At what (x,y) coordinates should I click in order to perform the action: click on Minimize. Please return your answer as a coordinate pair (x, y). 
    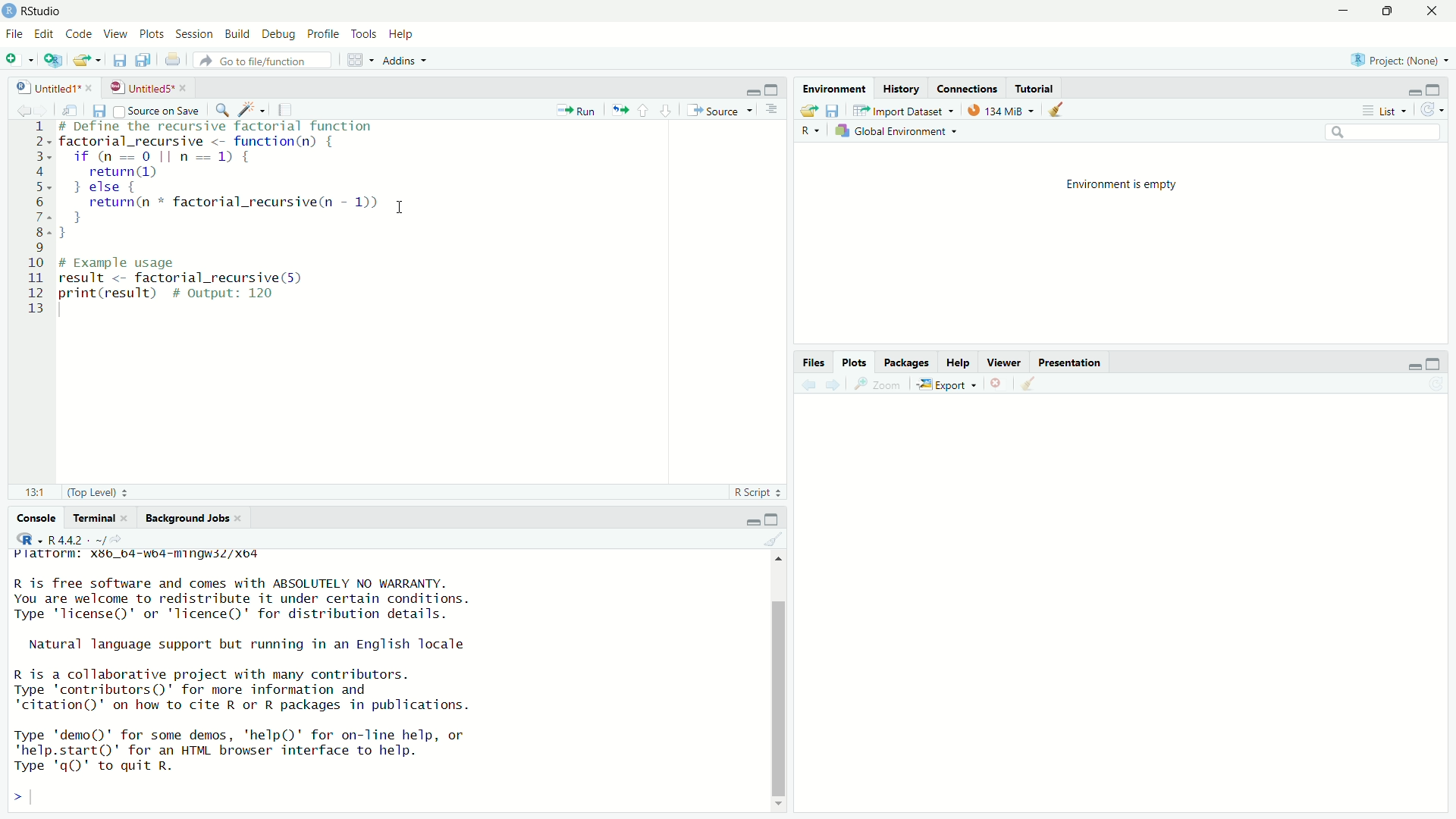
    Looking at the image, I should click on (1413, 92).